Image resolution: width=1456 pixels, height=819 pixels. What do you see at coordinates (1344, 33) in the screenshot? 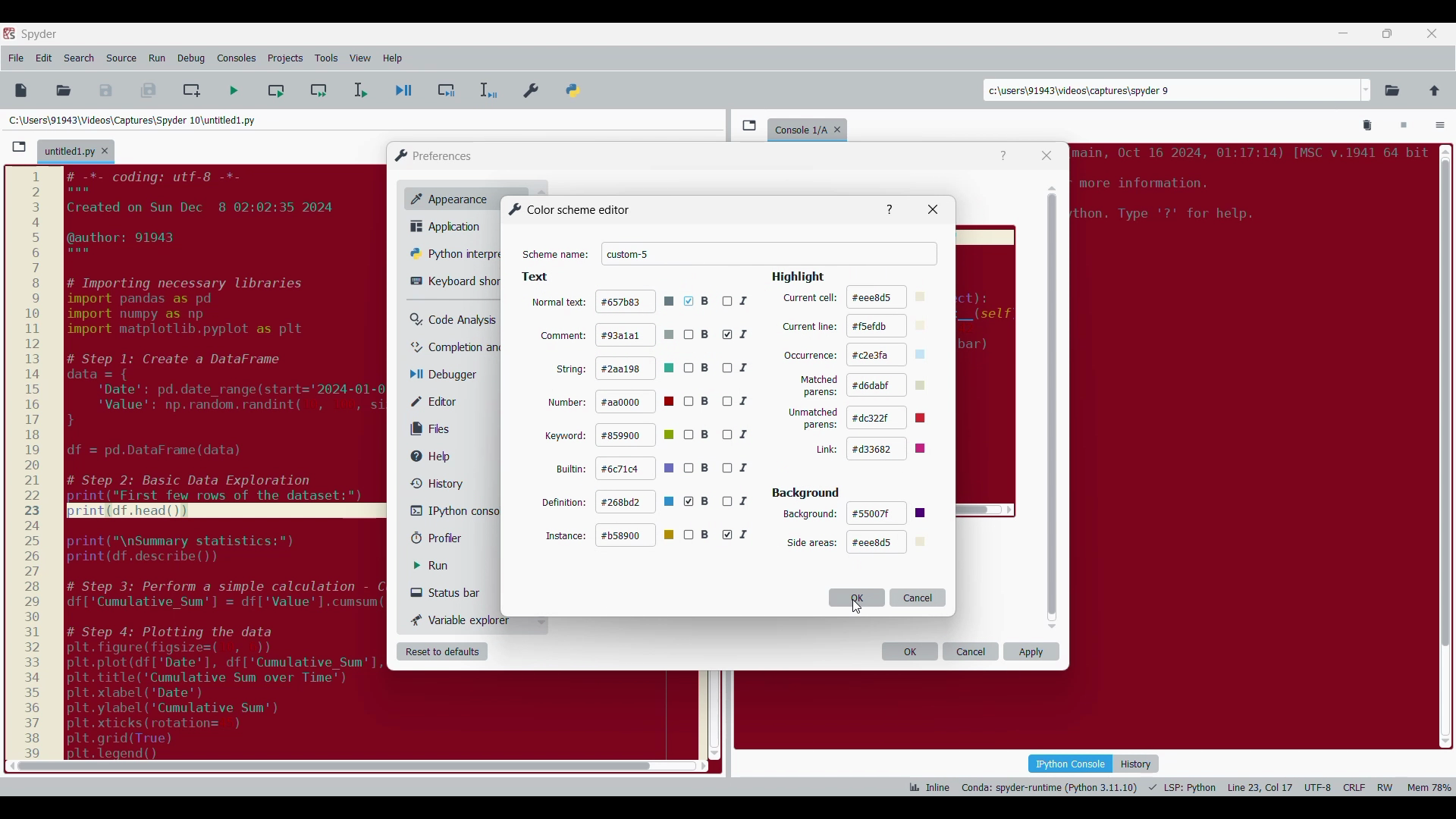
I see `Minimize` at bounding box center [1344, 33].